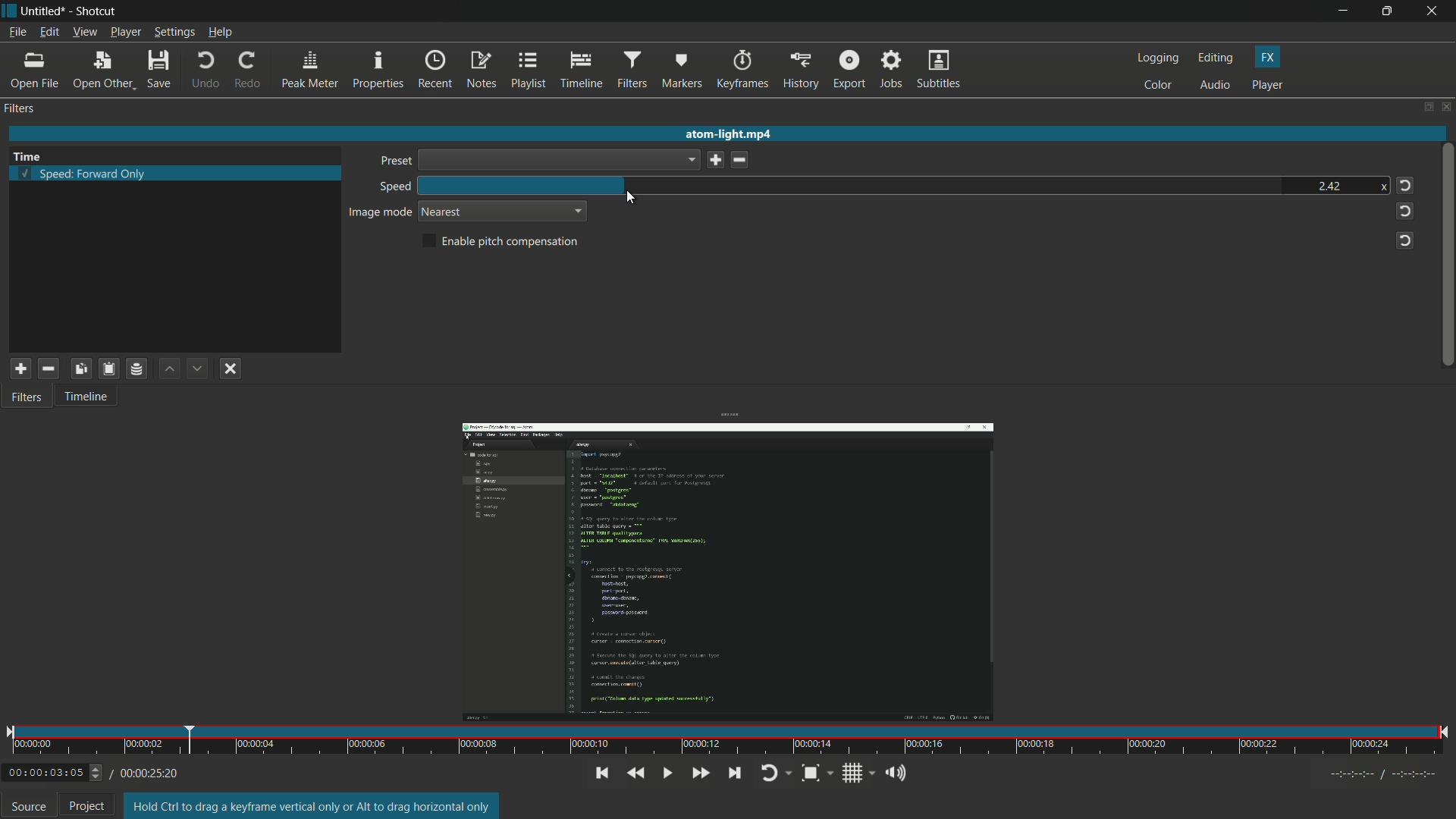  Describe the element at coordinates (1267, 86) in the screenshot. I see `player` at that location.